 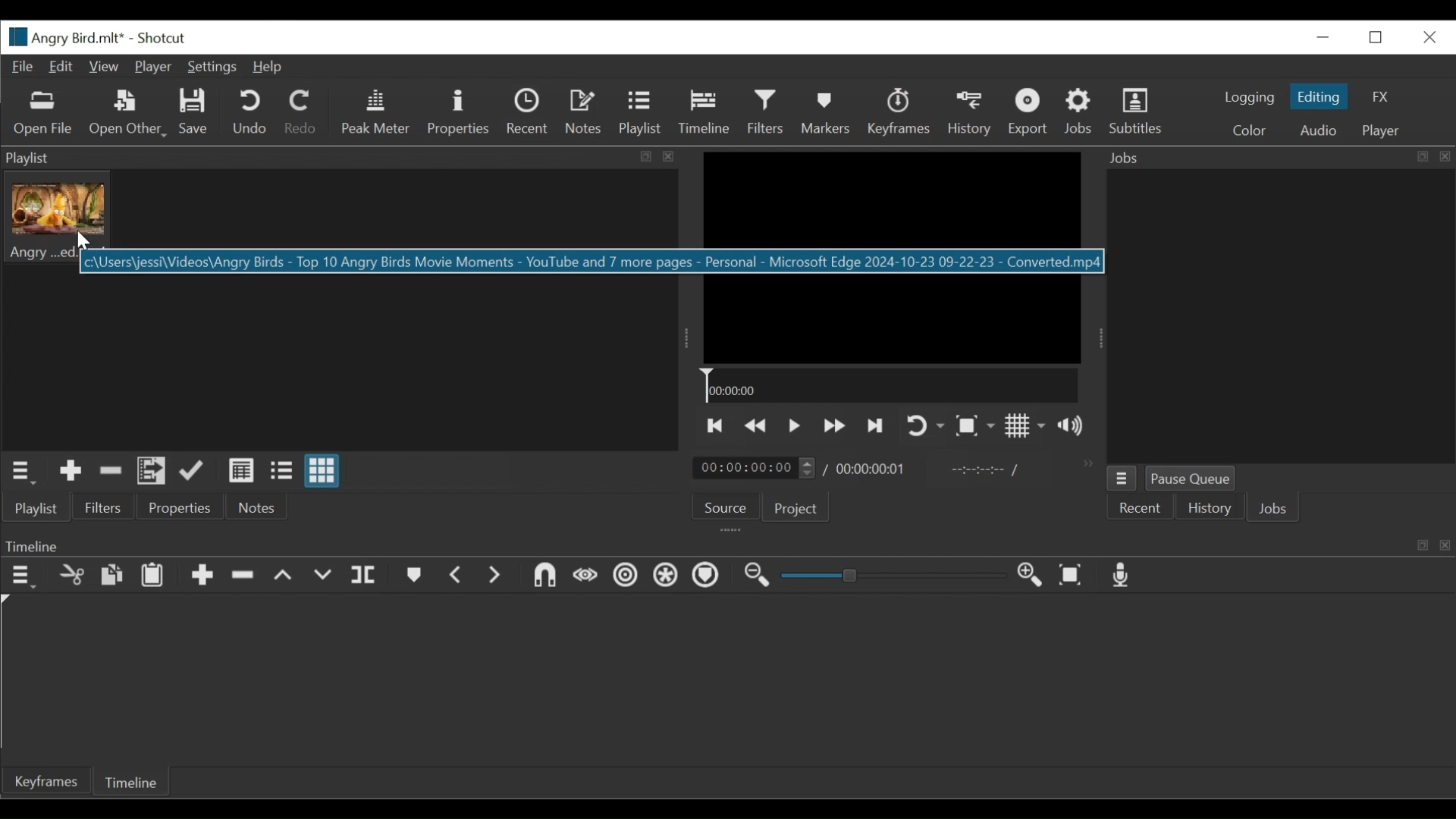 What do you see at coordinates (794, 426) in the screenshot?
I see `Toggle play or pause (space)` at bounding box center [794, 426].